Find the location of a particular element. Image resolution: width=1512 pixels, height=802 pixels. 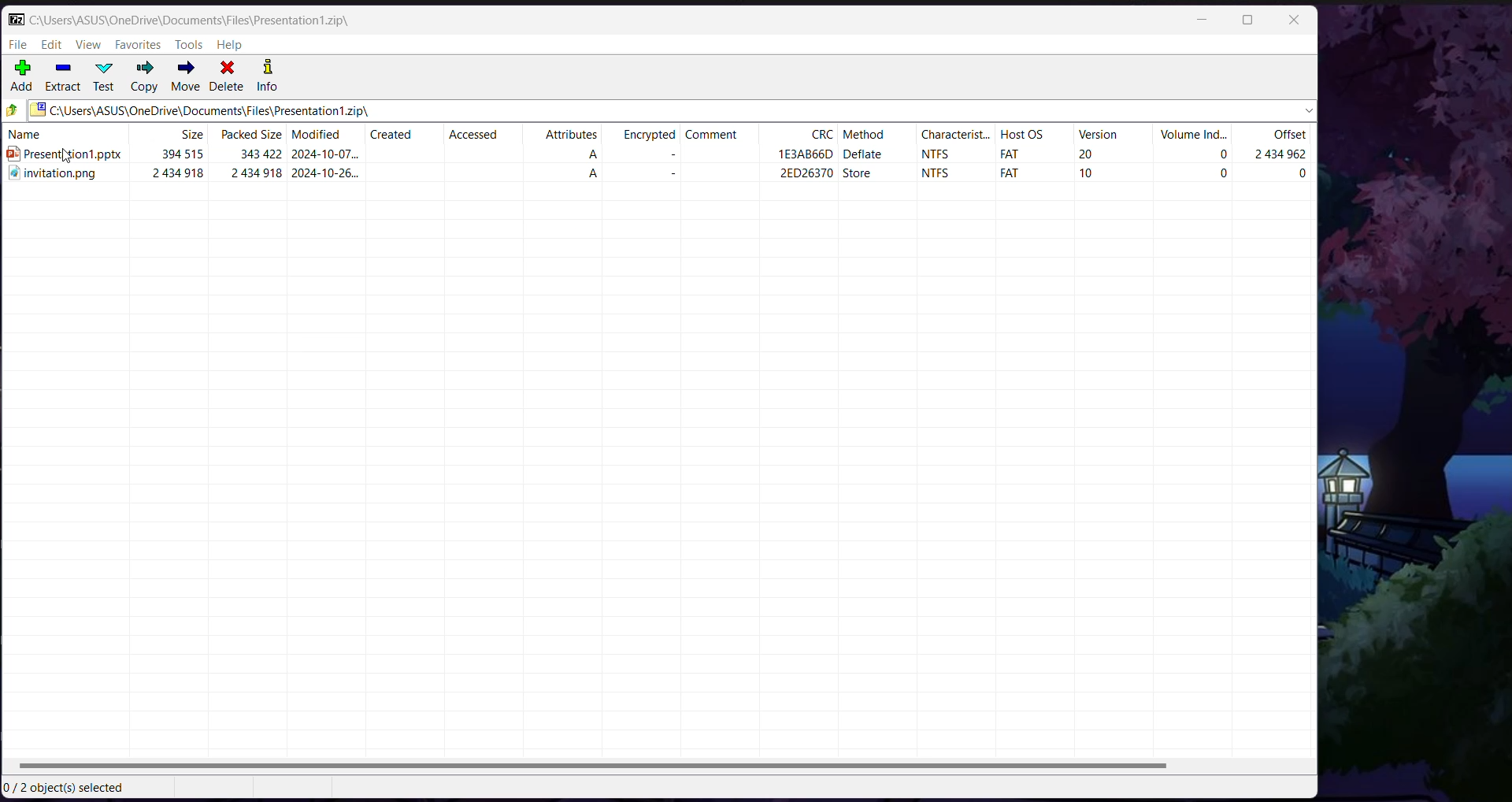

ecrypted is located at coordinates (650, 138).